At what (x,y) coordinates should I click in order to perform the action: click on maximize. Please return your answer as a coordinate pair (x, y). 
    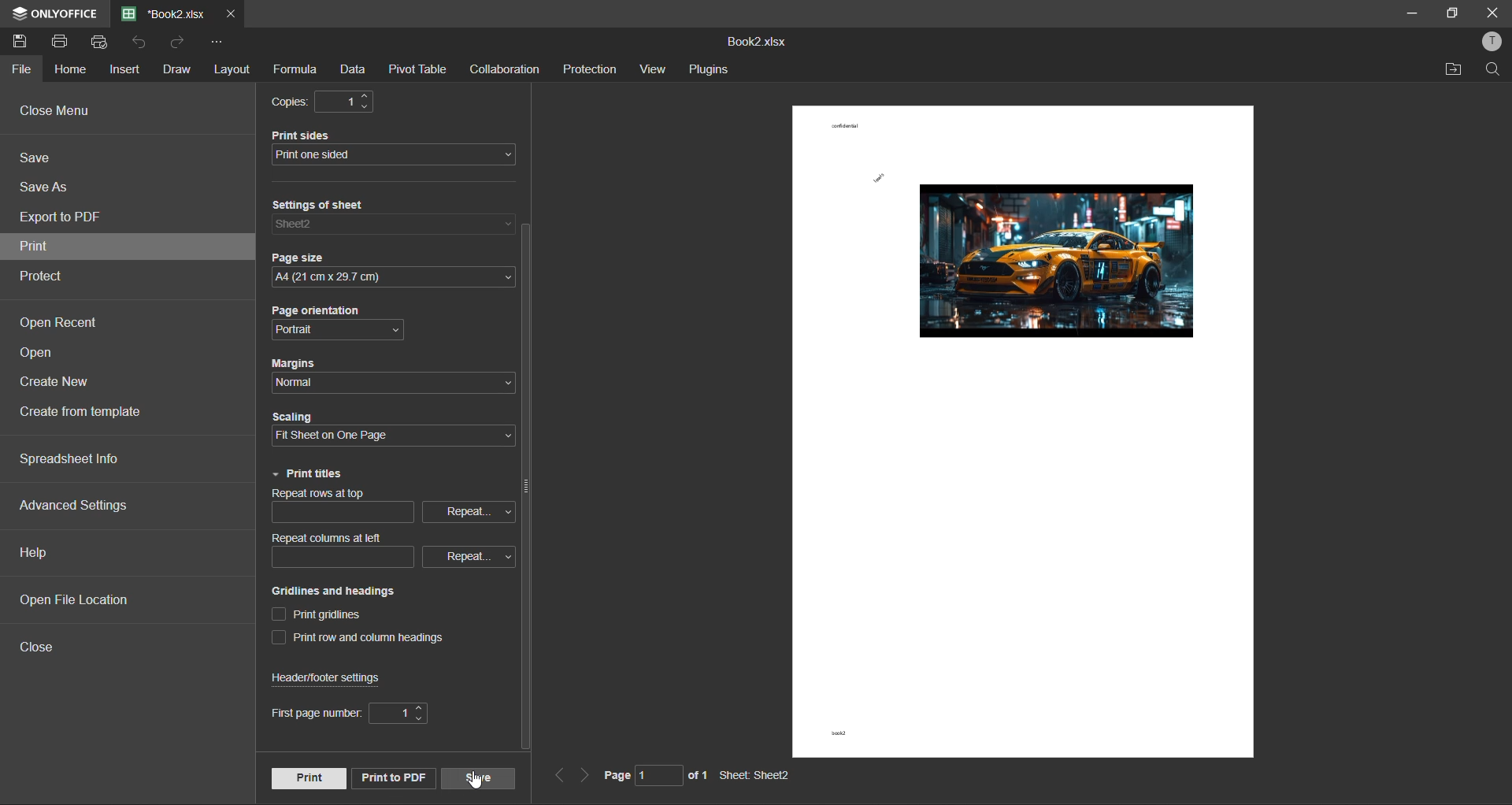
    Looking at the image, I should click on (1451, 15).